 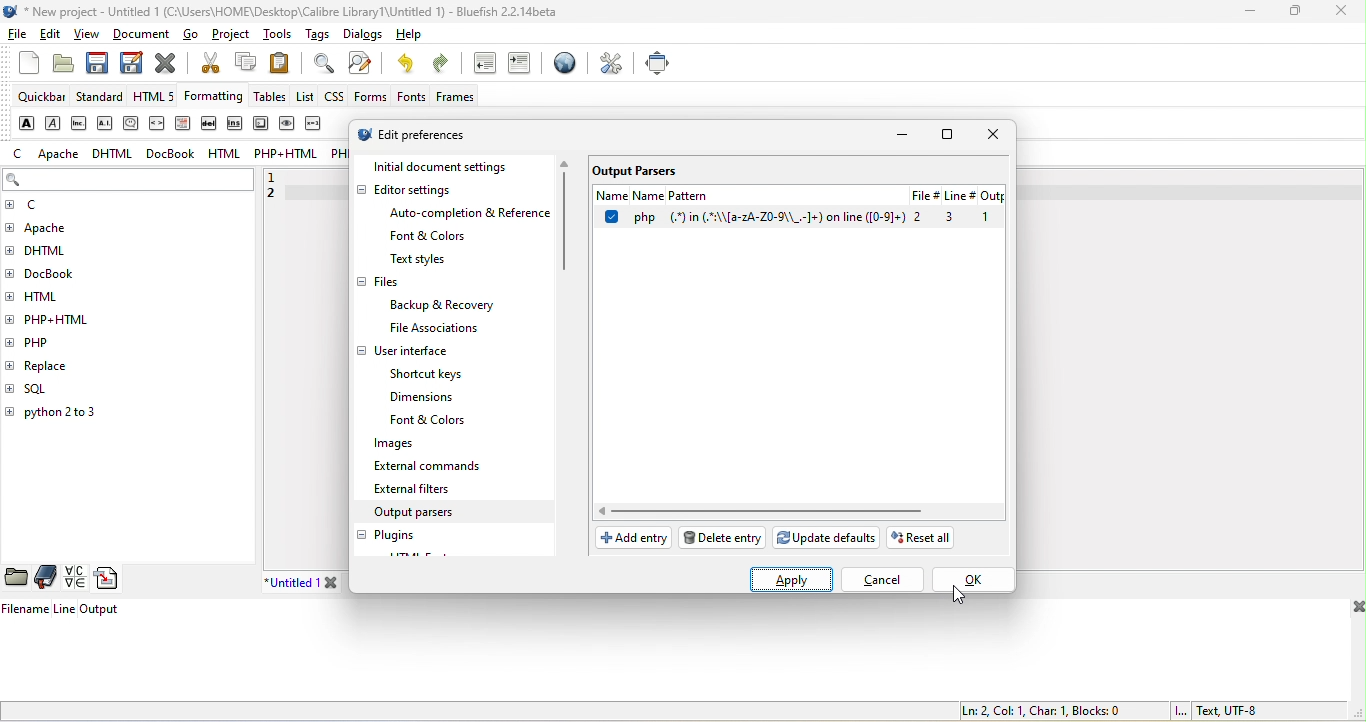 What do you see at coordinates (566, 218) in the screenshot?
I see `vertical scroll bar` at bounding box center [566, 218].